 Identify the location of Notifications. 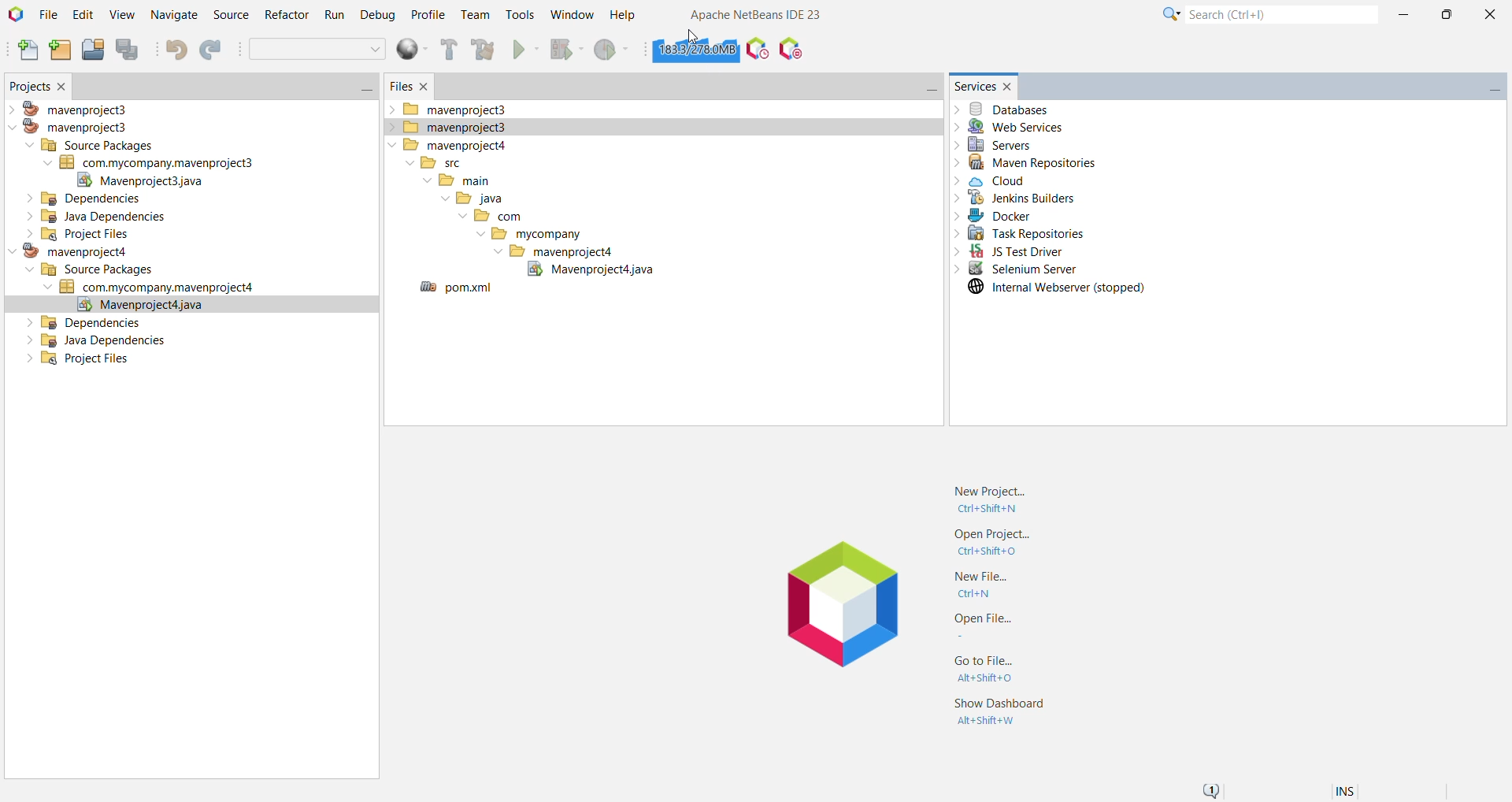
(1214, 788).